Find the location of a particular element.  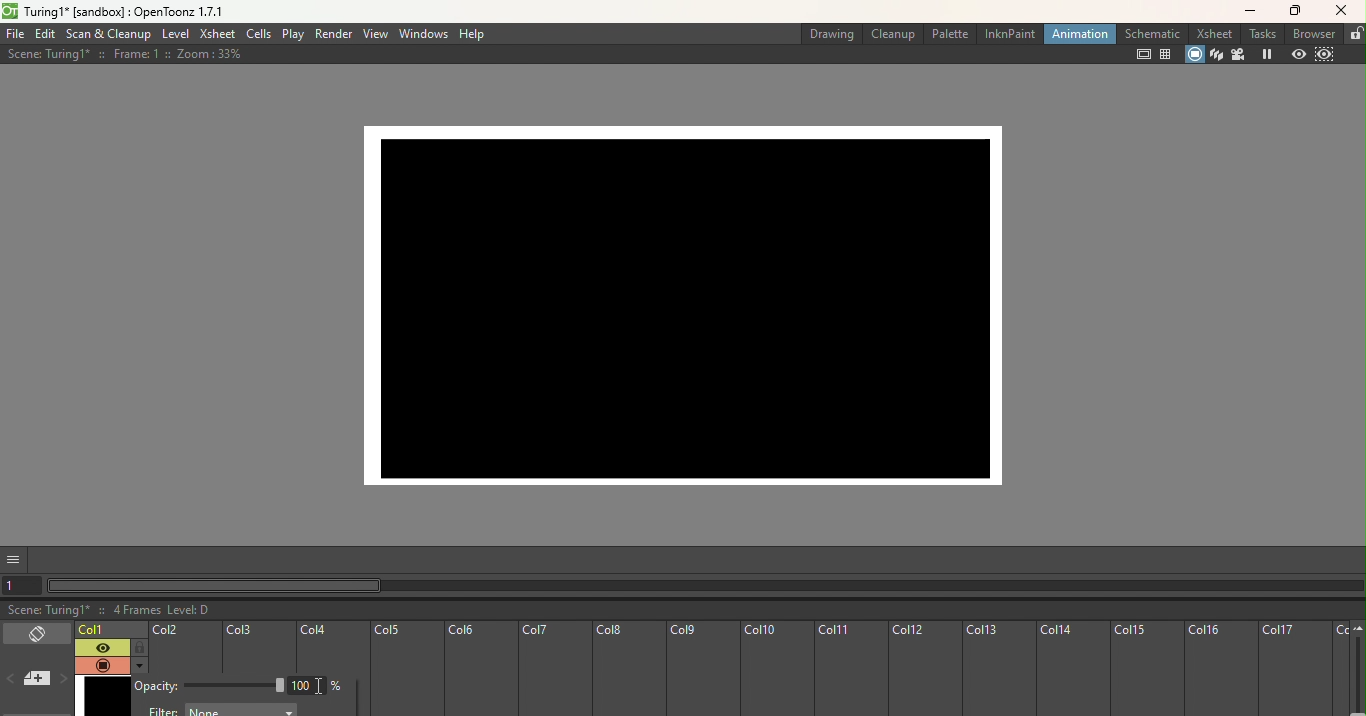

Turing1* [sandbox] : OpenToonz 1.7.1 is located at coordinates (127, 11).